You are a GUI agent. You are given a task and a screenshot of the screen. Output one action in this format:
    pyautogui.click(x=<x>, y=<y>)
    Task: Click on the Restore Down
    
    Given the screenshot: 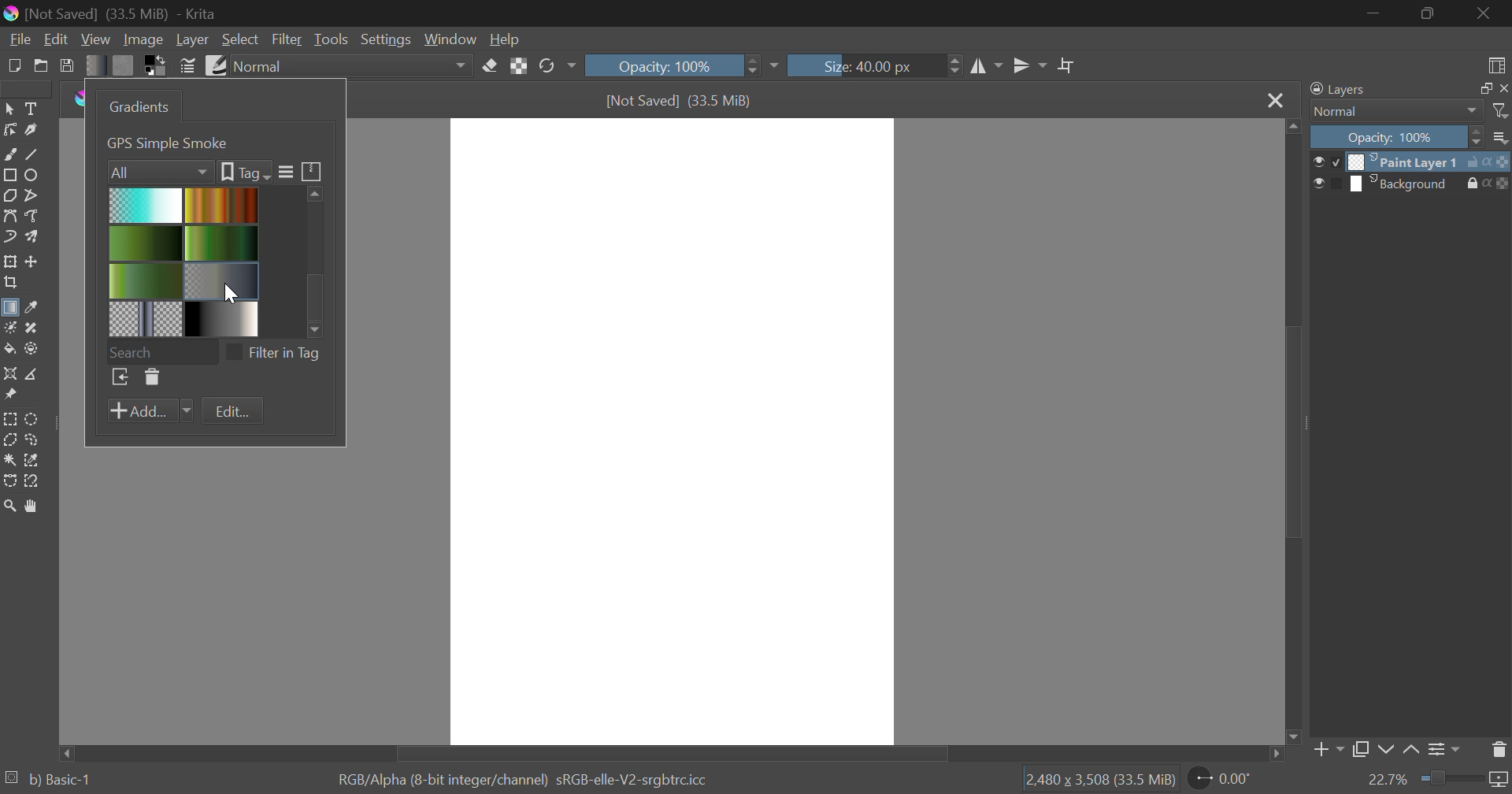 What is the action you would take?
    pyautogui.click(x=1375, y=13)
    